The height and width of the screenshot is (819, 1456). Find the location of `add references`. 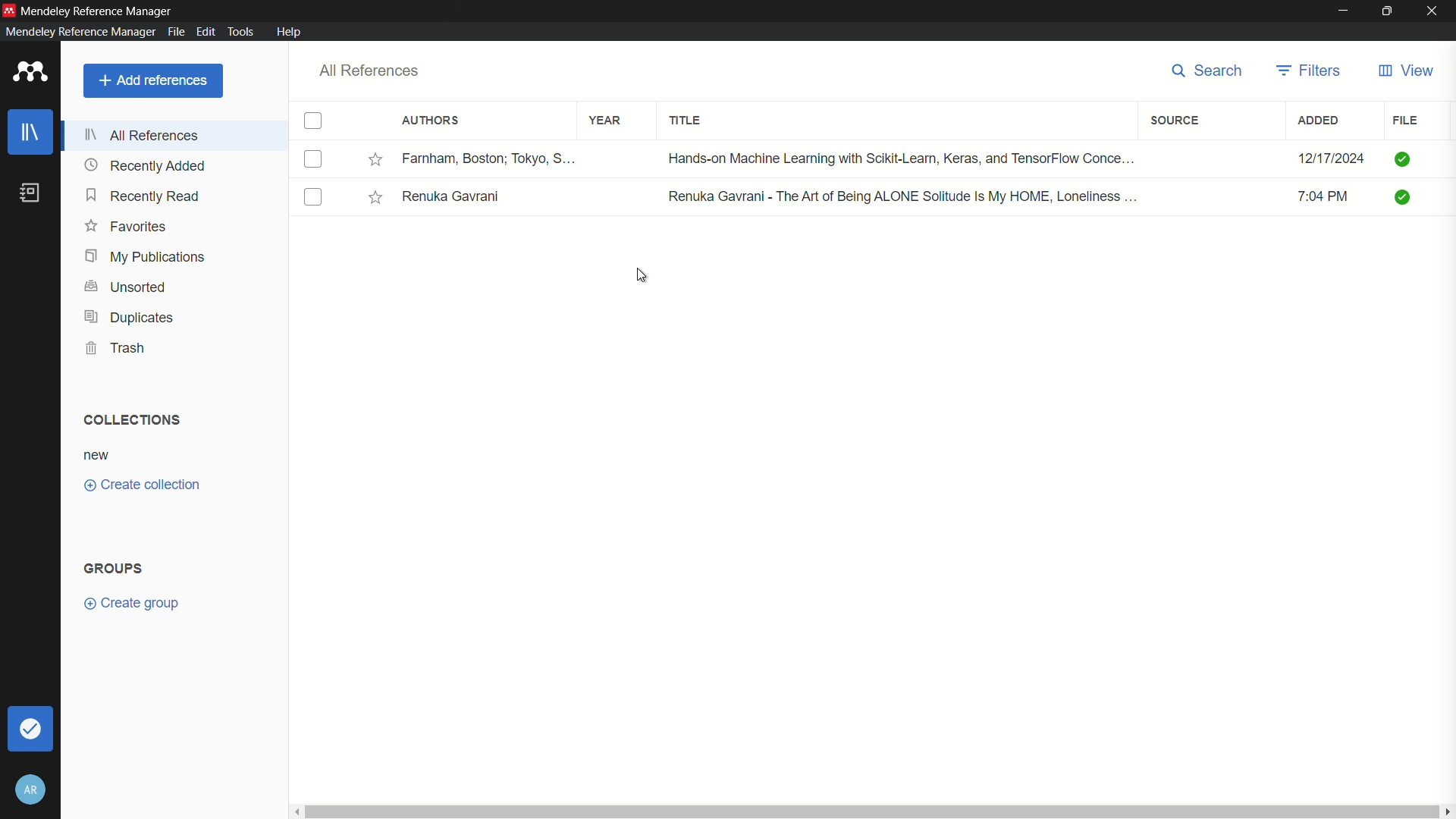

add references is located at coordinates (153, 82).